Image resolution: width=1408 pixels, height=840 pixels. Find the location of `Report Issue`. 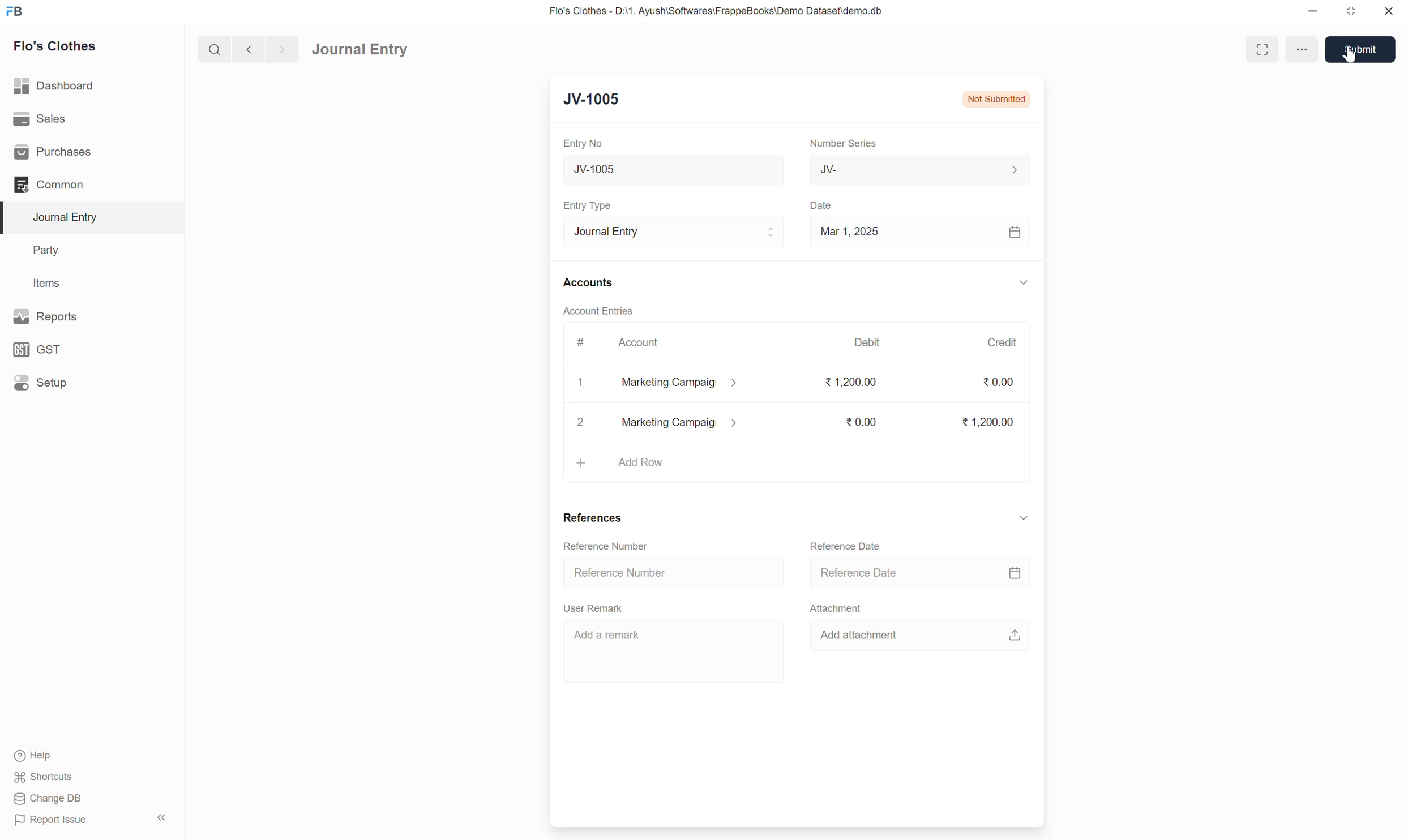

Report Issue is located at coordinates (55, 821).